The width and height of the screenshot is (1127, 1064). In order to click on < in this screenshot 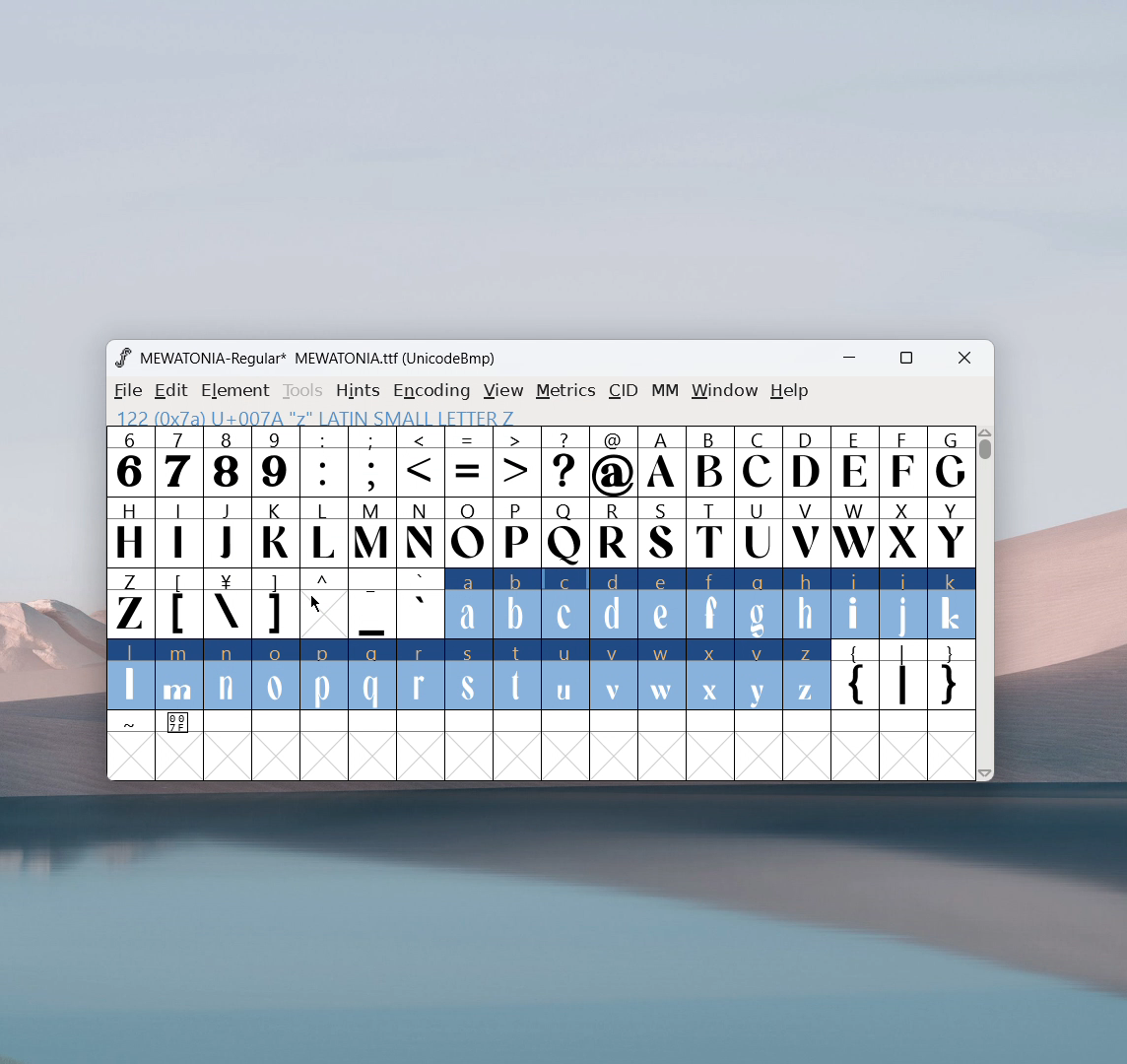, I will do `click(423, 463)`.